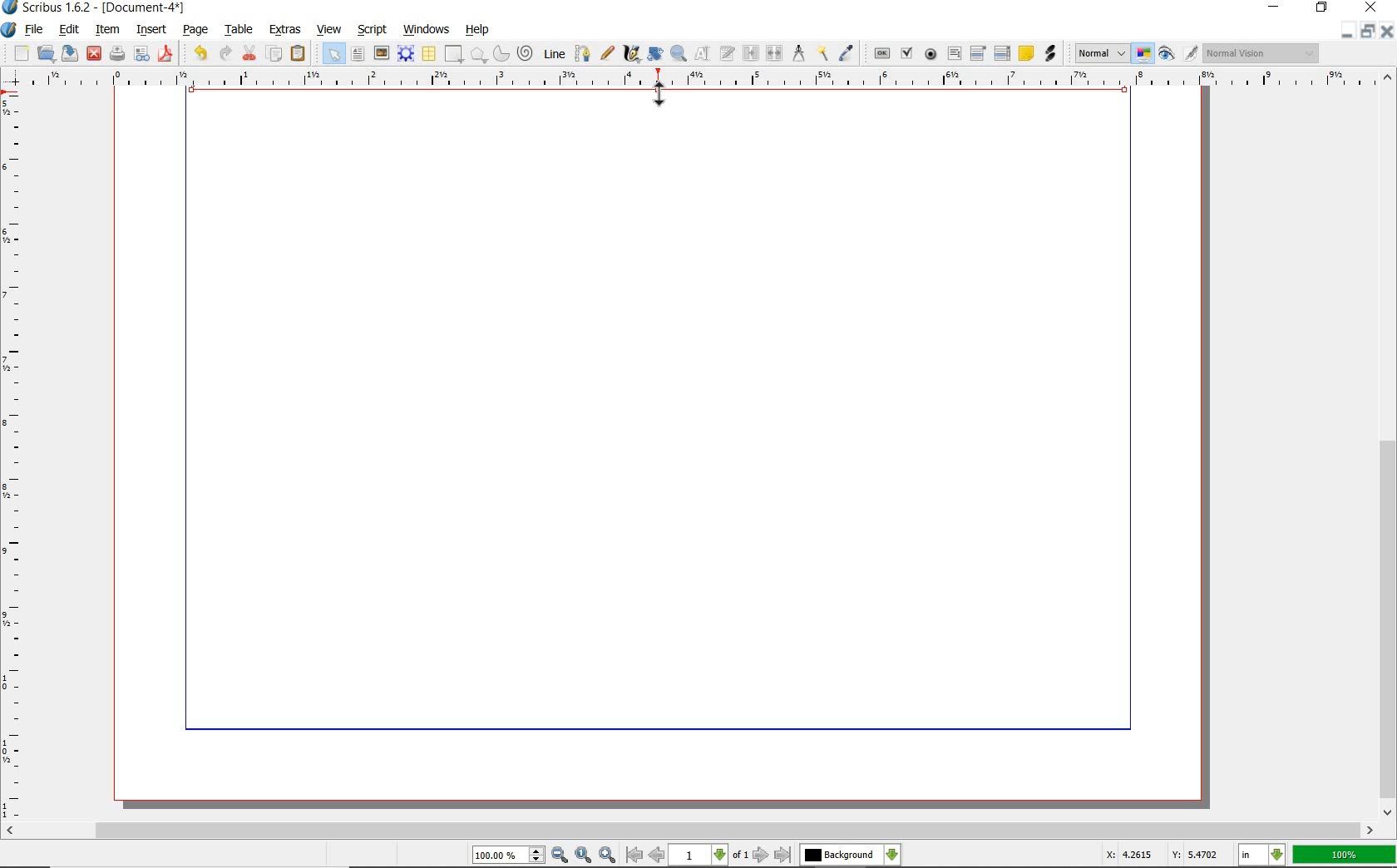  I want to click on pdf list box, so click(1002, 52).